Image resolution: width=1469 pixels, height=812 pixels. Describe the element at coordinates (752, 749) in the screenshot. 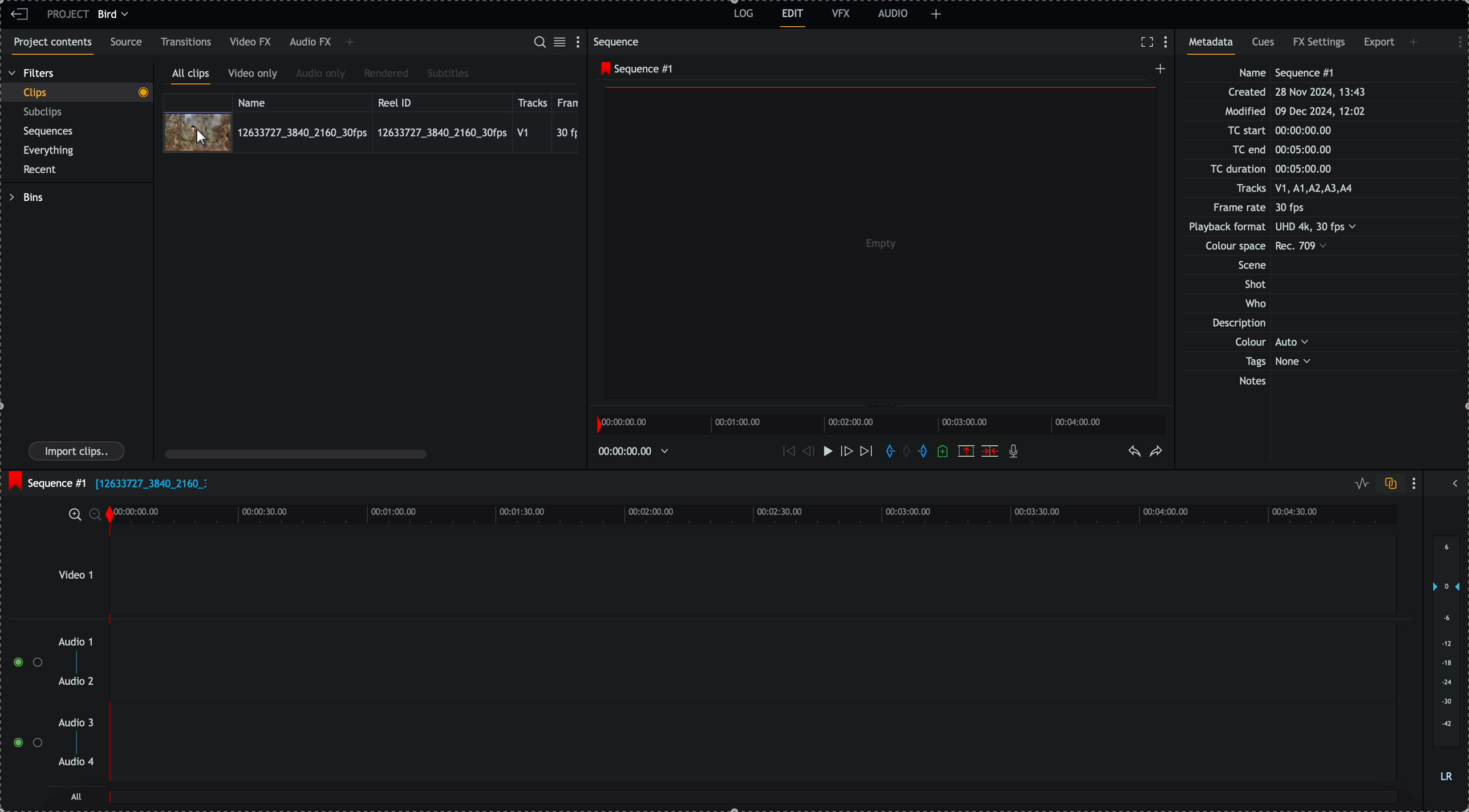

I see `track audio` at that location.